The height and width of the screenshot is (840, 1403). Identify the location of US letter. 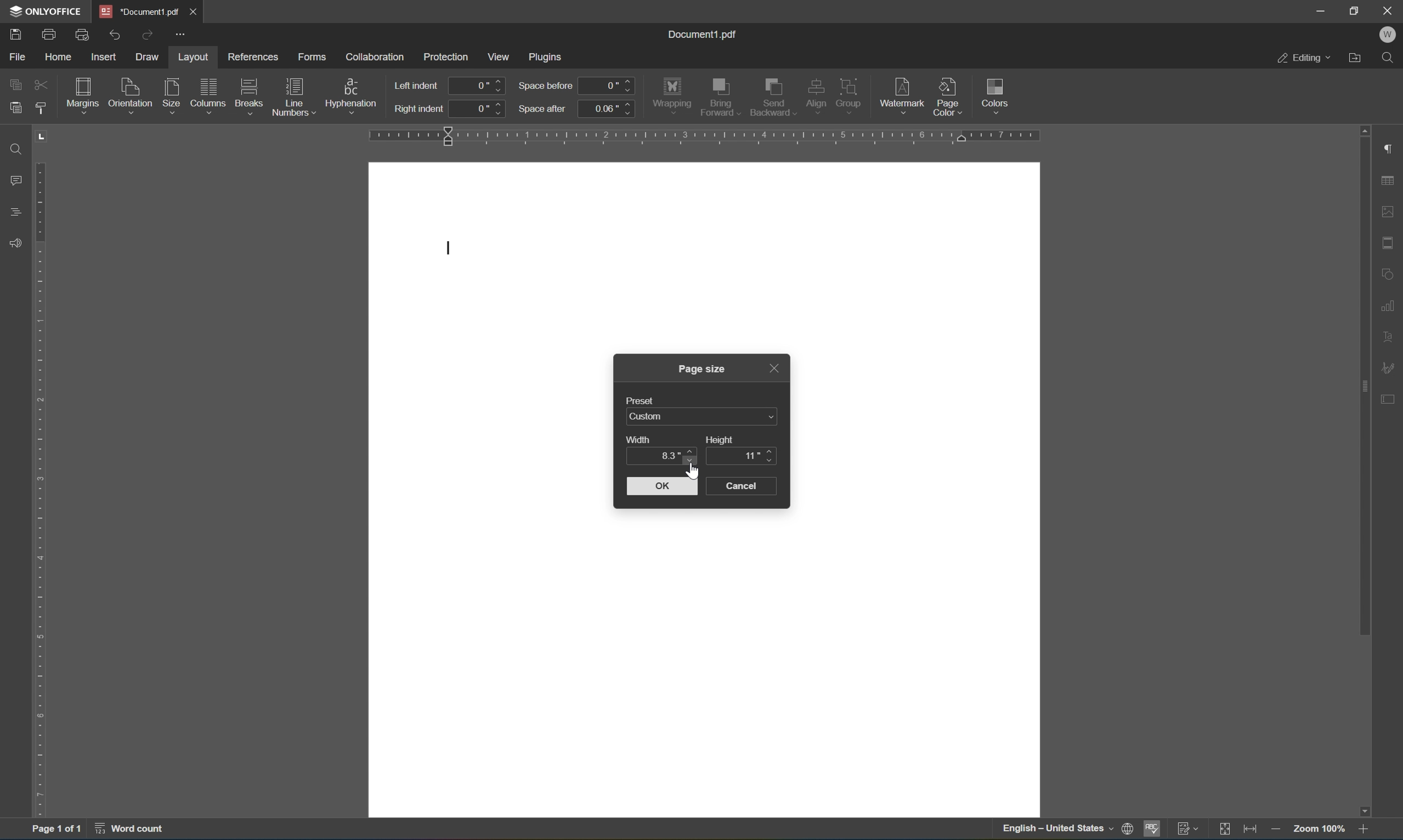
(703, 417).